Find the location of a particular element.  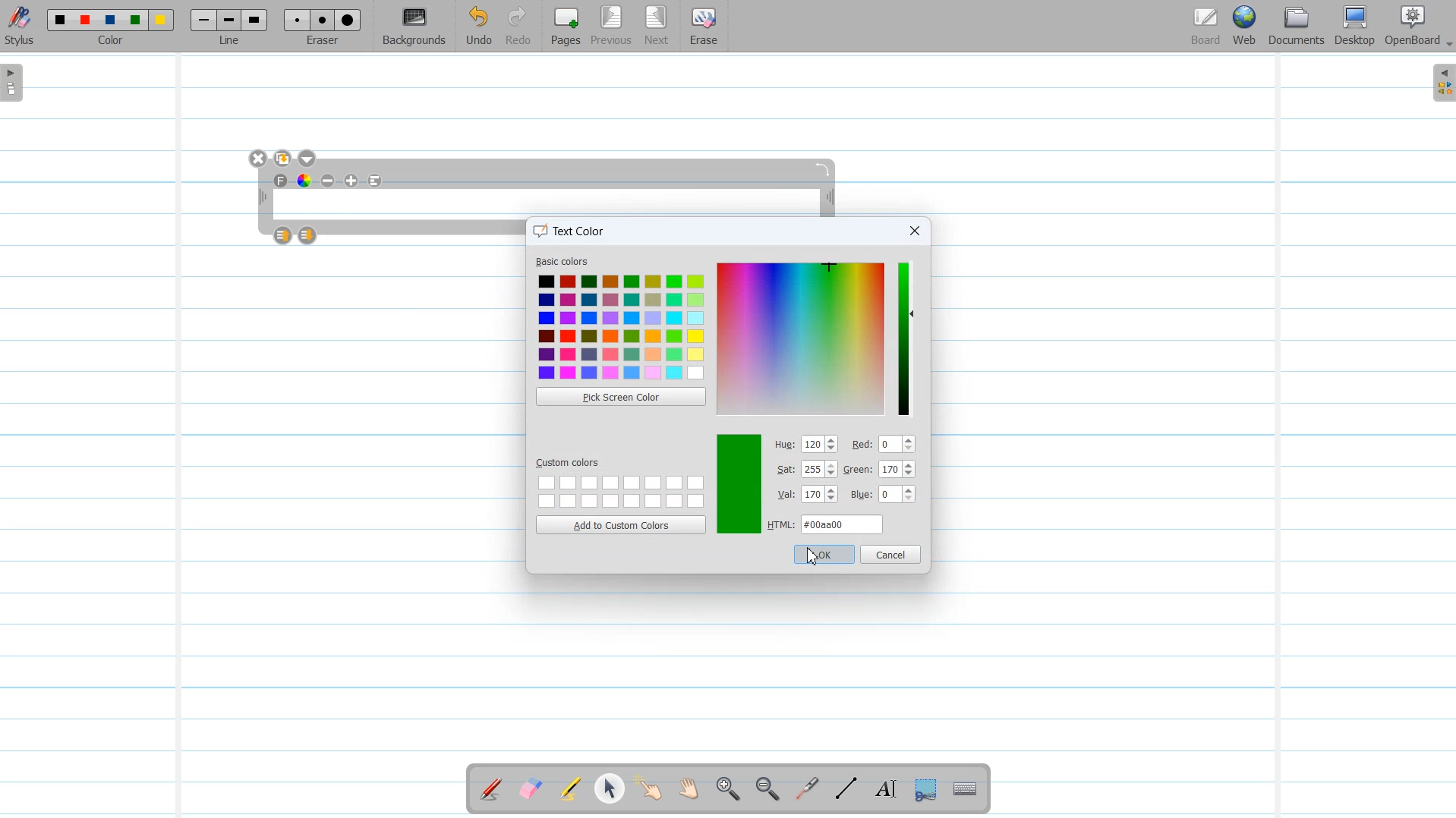

Minimize text size is located at coordinates (329, 181).